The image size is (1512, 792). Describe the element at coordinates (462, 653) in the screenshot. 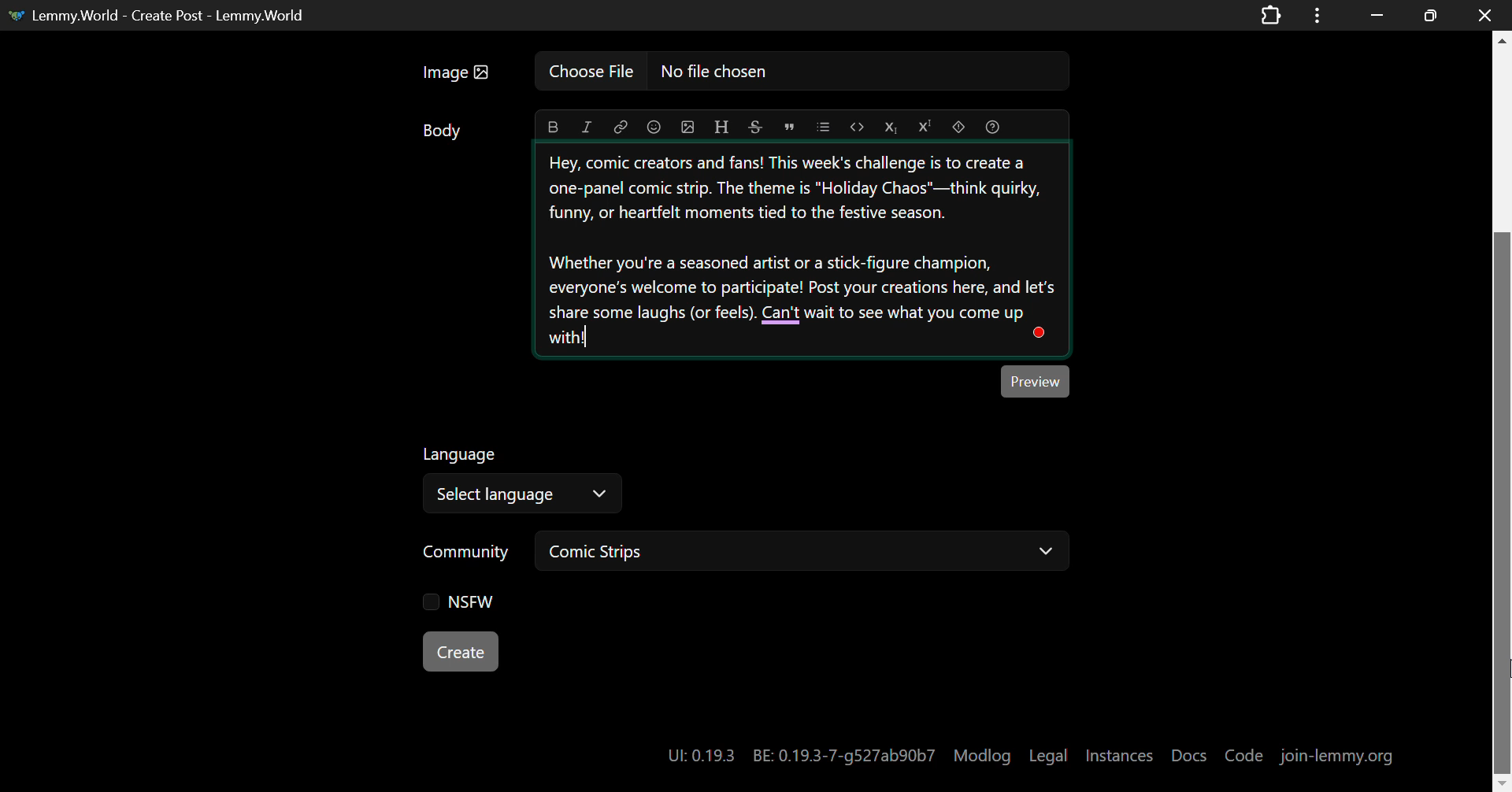

I see `Create` at that location.